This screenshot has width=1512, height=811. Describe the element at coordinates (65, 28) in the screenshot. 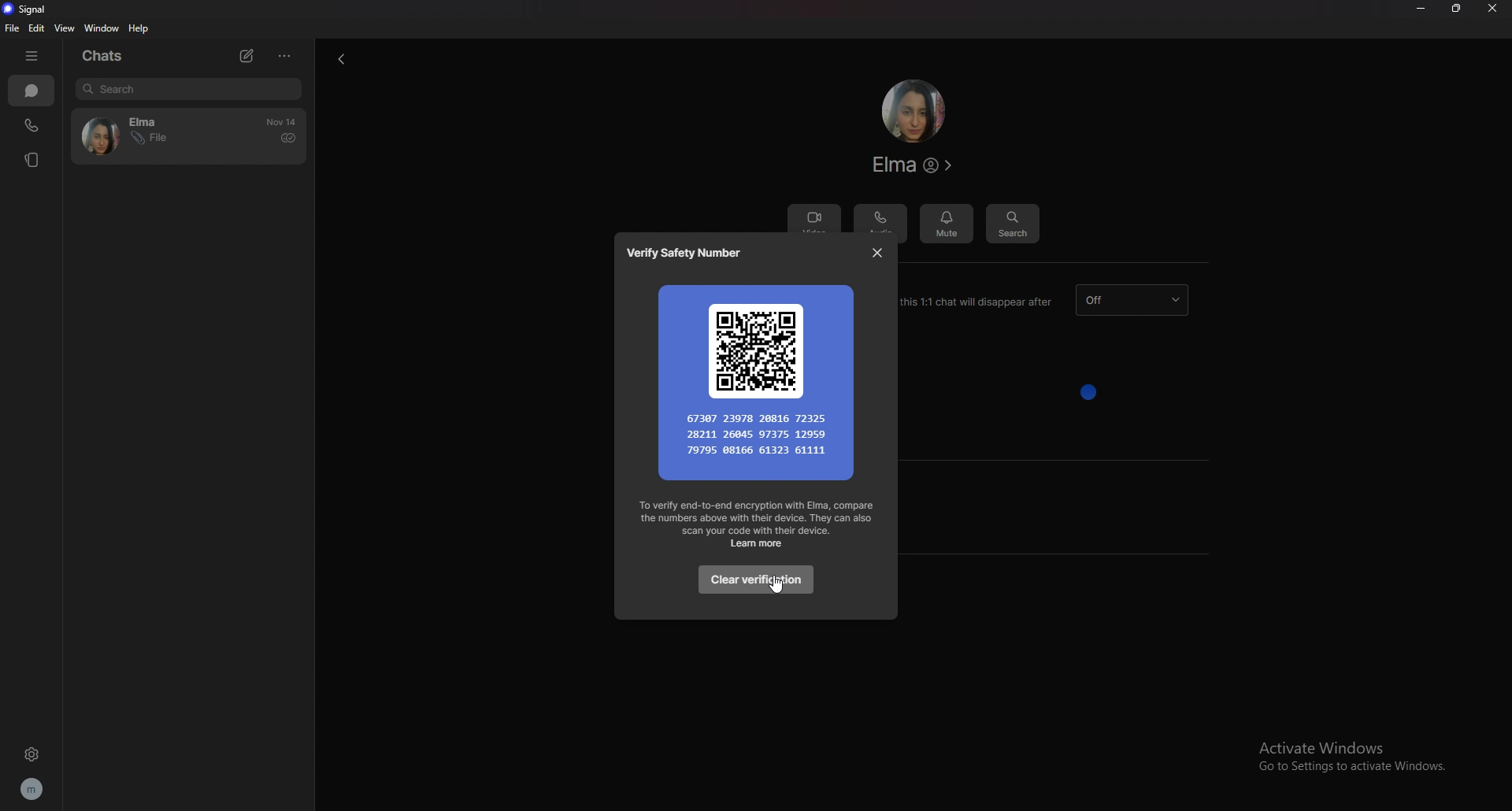

I see `view` at that location.